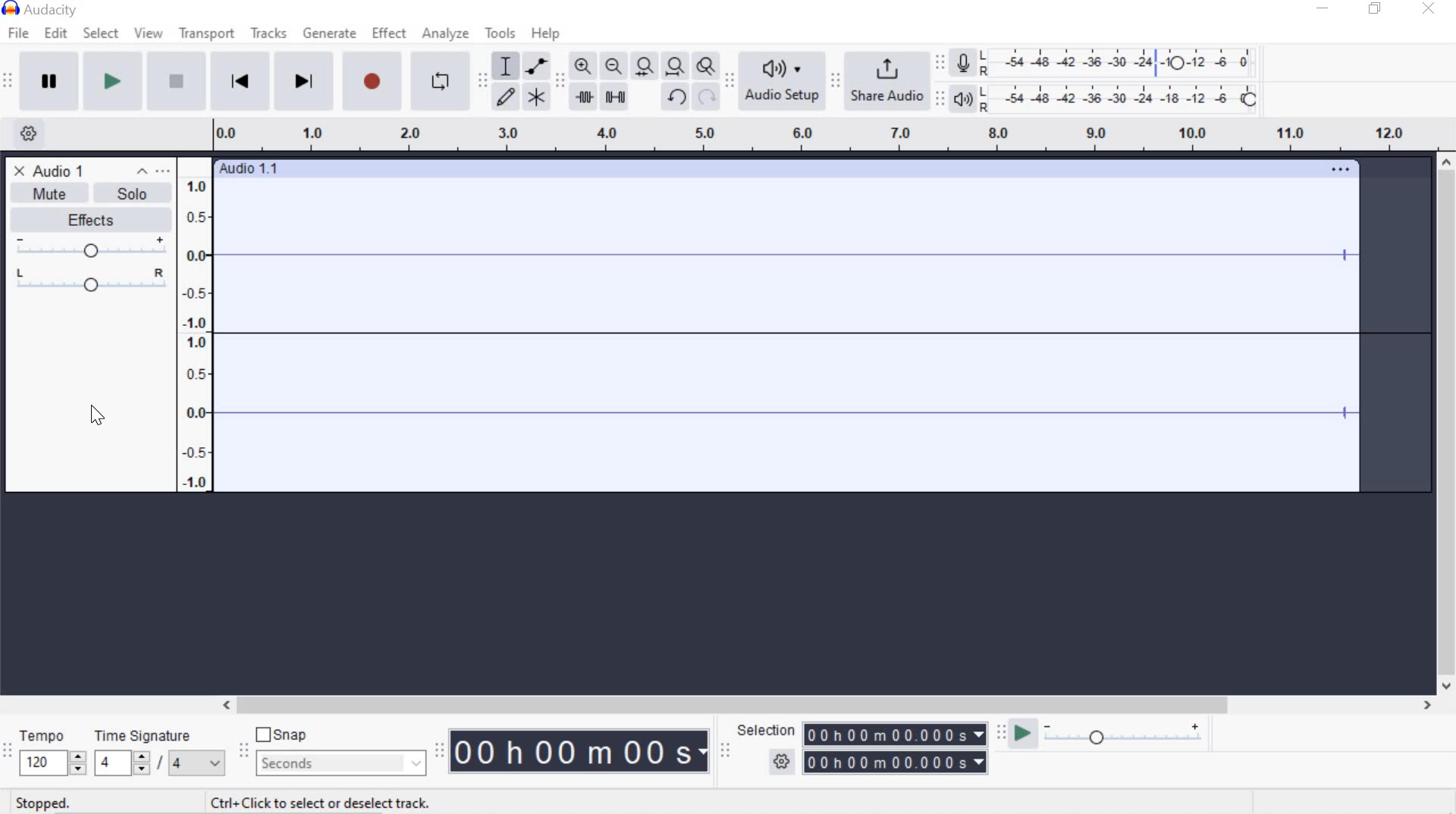  What do you see at coordinates (824, 703) in the screenshot?
I see `scrollbar` at bounding box center [824, 703].